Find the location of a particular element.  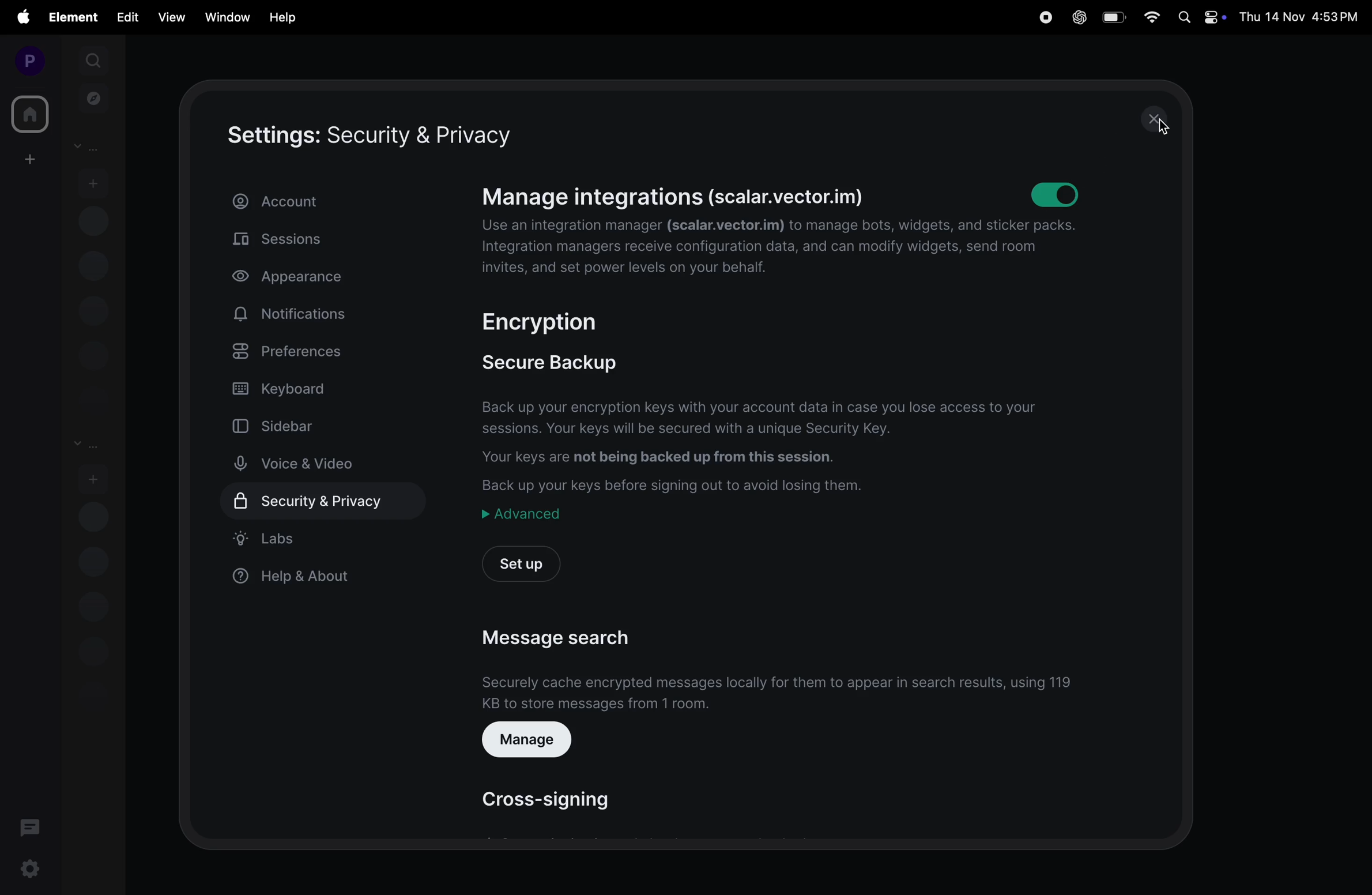

People is located at coordinates (91, 148).